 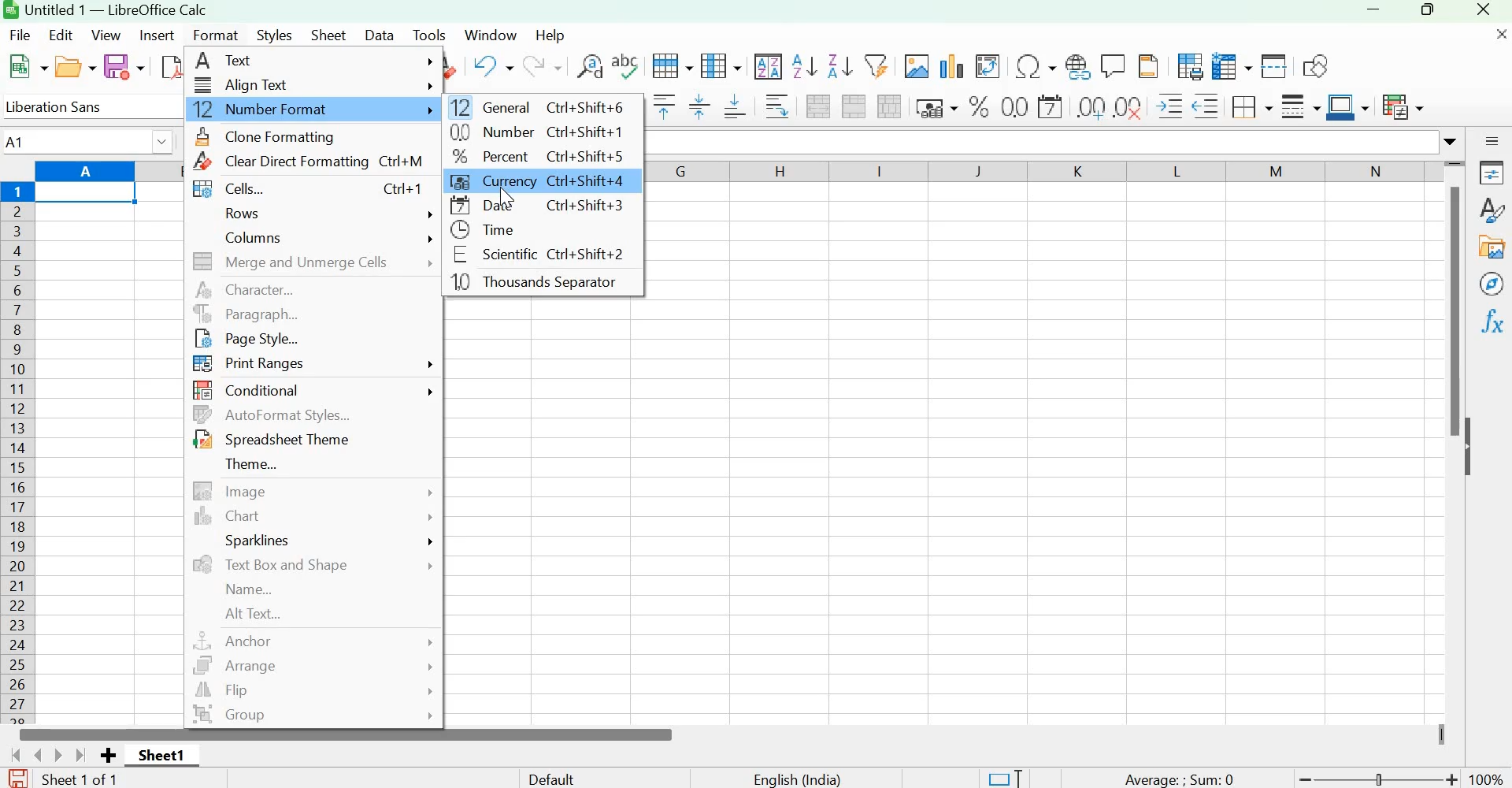 What do you see at coordinates (62, 34) in the screenshot?
I see `Edit` at bounding box center [62, 34].